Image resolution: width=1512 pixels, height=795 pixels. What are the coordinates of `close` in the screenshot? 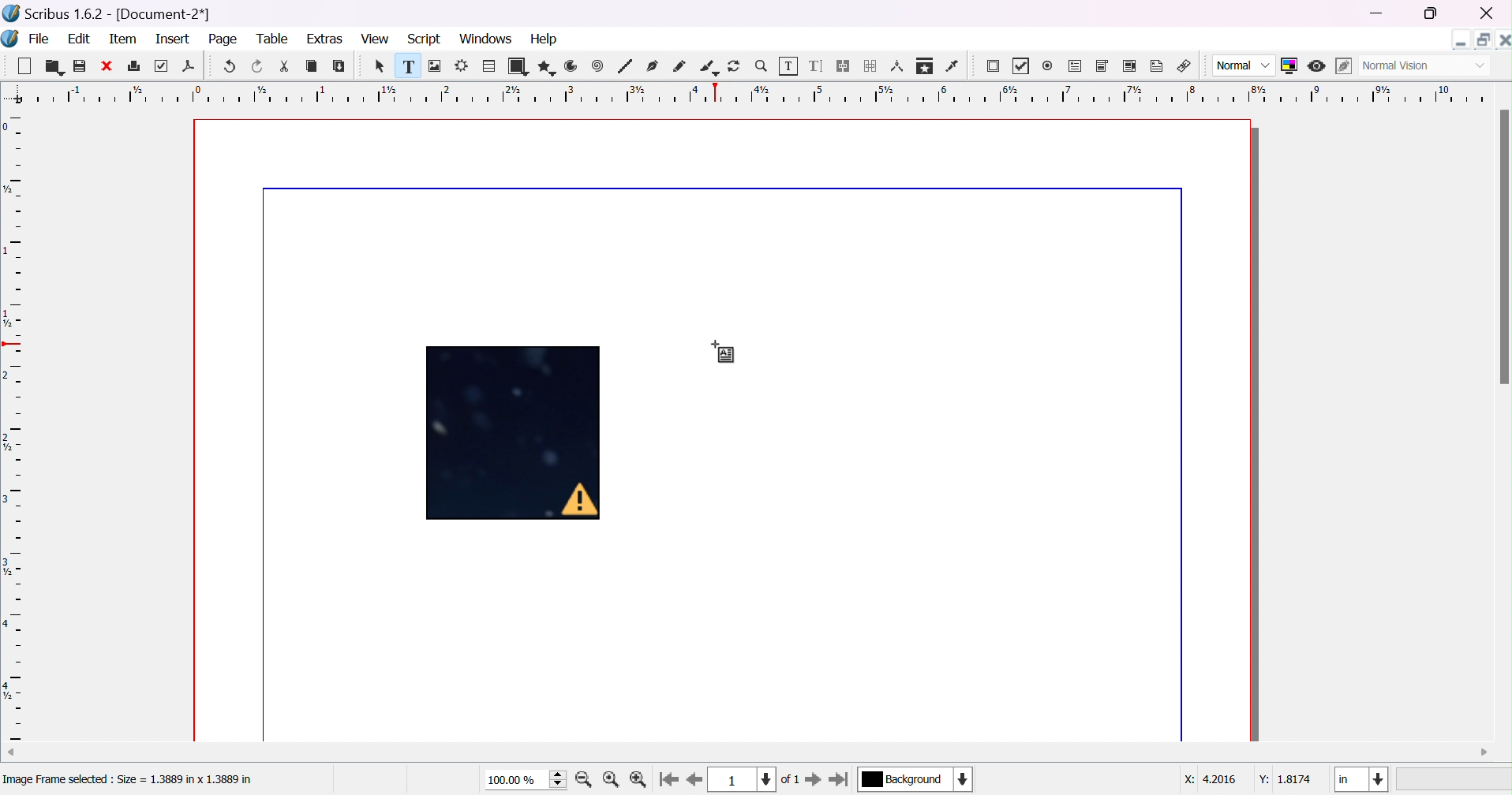 It's located at (105, 66).